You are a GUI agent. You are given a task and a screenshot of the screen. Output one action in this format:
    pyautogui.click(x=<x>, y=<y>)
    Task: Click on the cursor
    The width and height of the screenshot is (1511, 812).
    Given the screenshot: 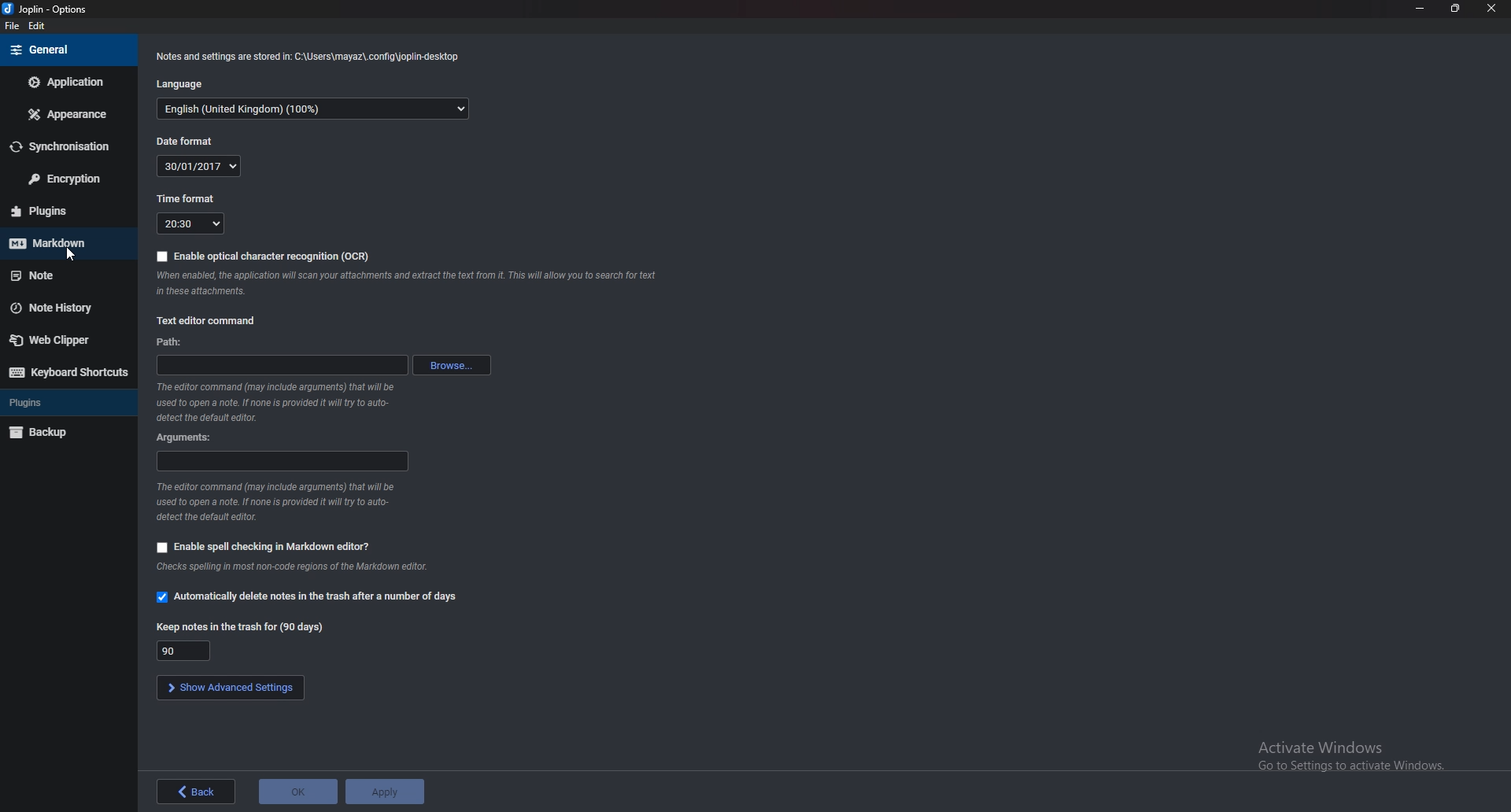 What is the action you would take?
    pyautogui.click(x=68, y=253)
    